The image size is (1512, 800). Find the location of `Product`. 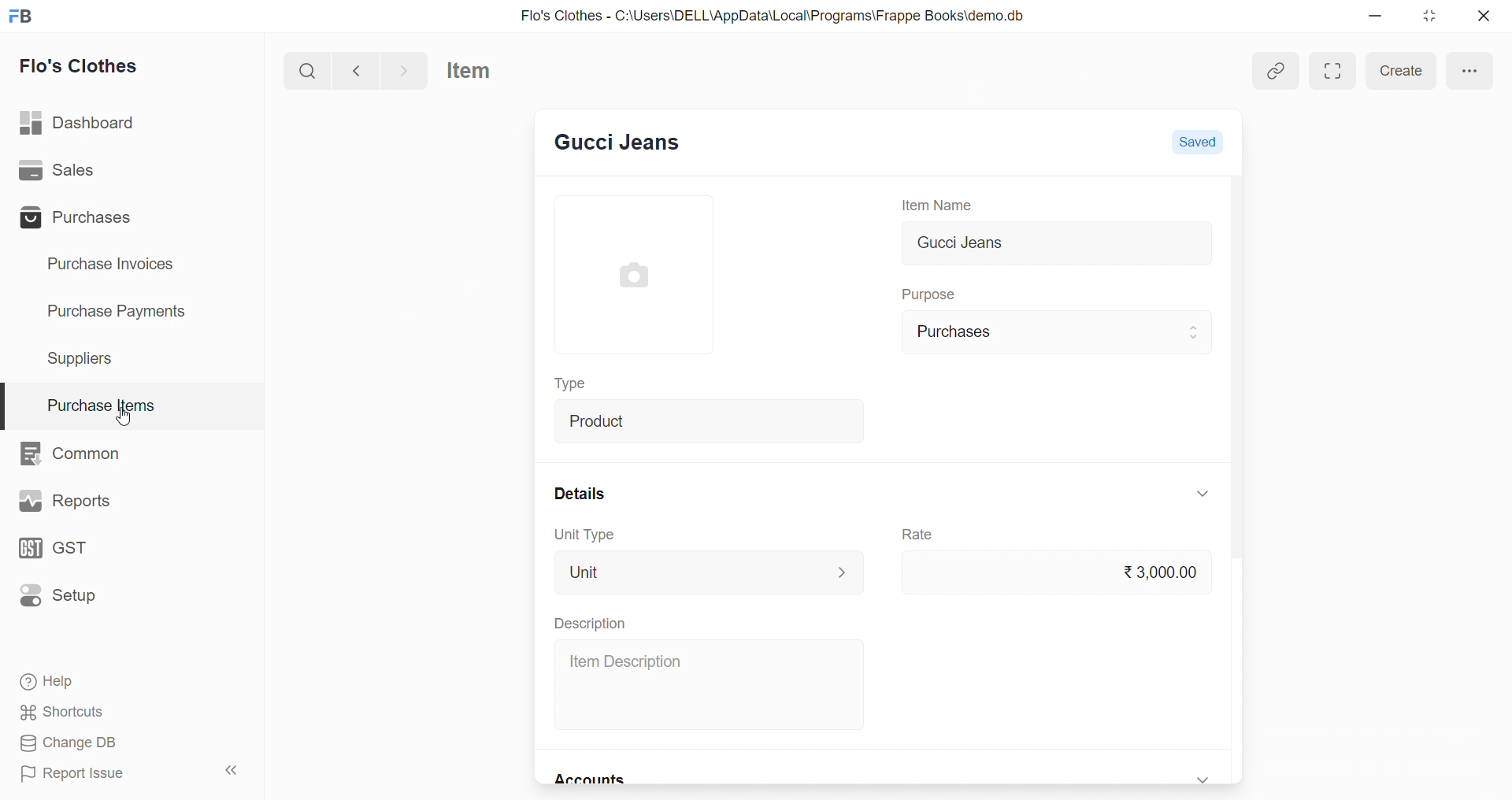

Product is located at coordinates (713, 420).